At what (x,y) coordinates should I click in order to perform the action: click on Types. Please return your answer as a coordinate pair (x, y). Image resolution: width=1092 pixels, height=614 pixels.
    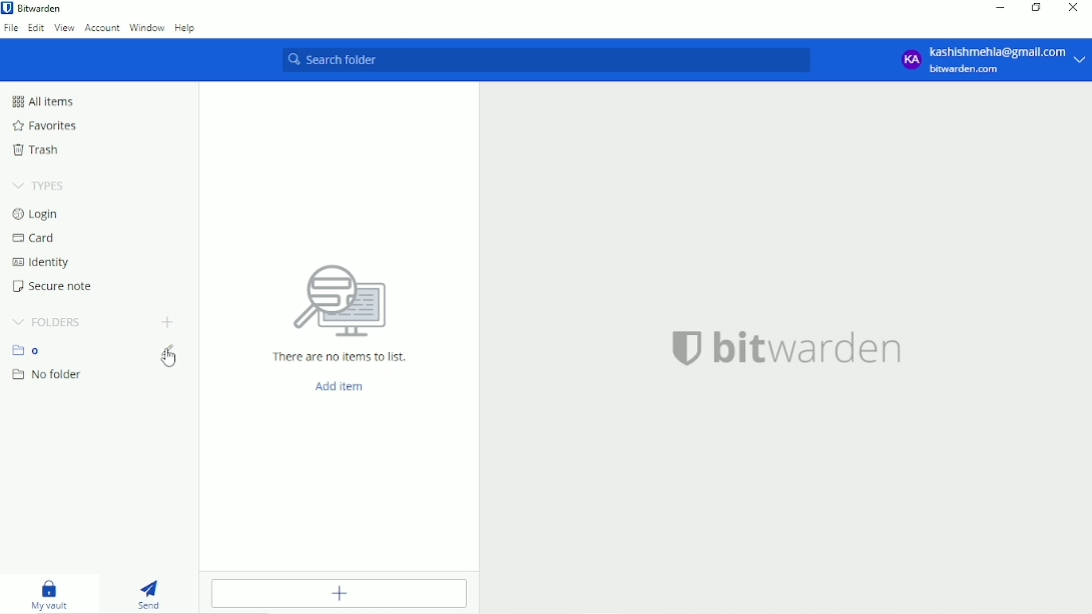
    Looking at the image, I should click on (38, 186).